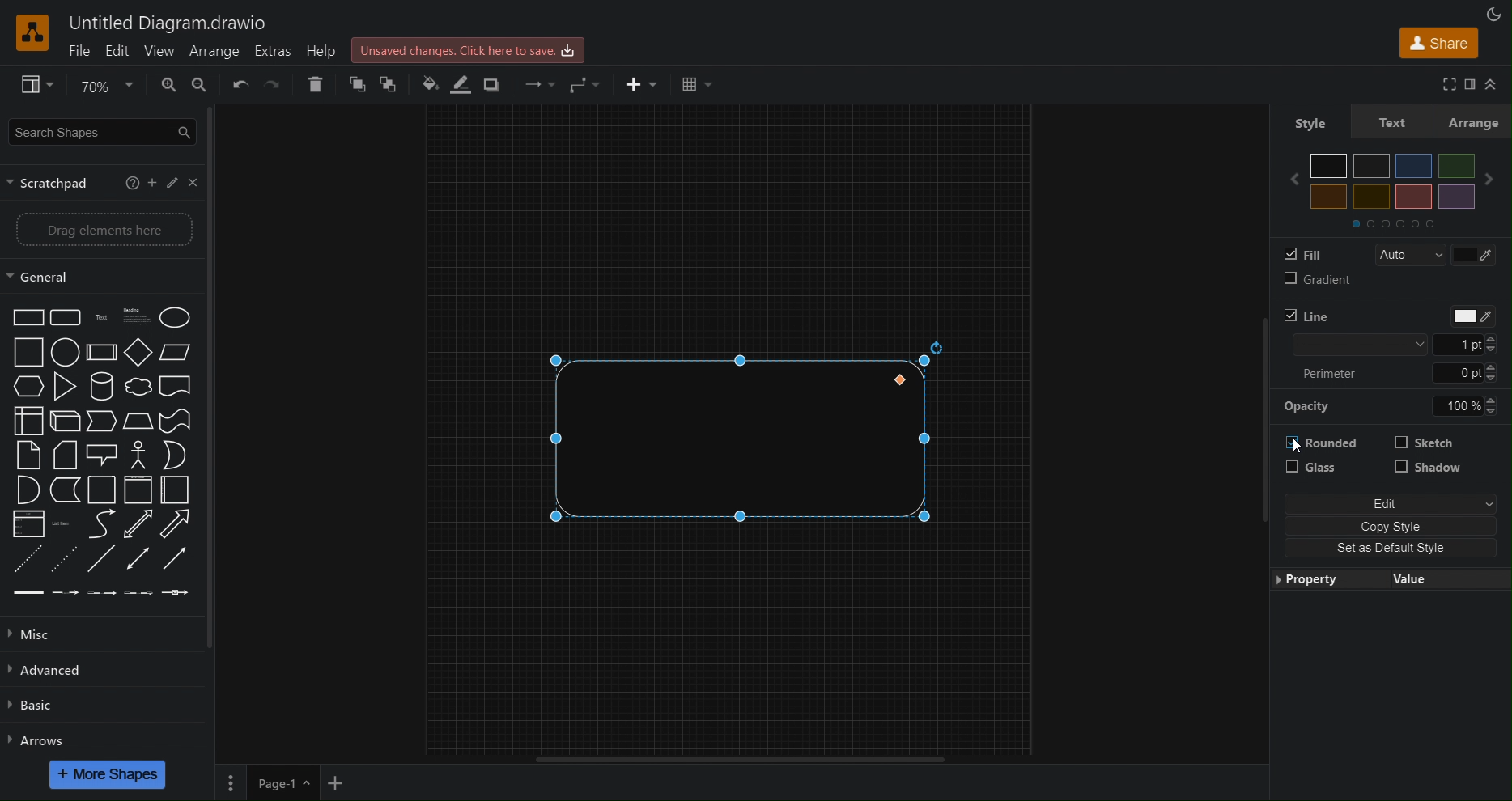  Describe the element at coordinates (33, 708) in the screenshot. I see `Basic` at that location.